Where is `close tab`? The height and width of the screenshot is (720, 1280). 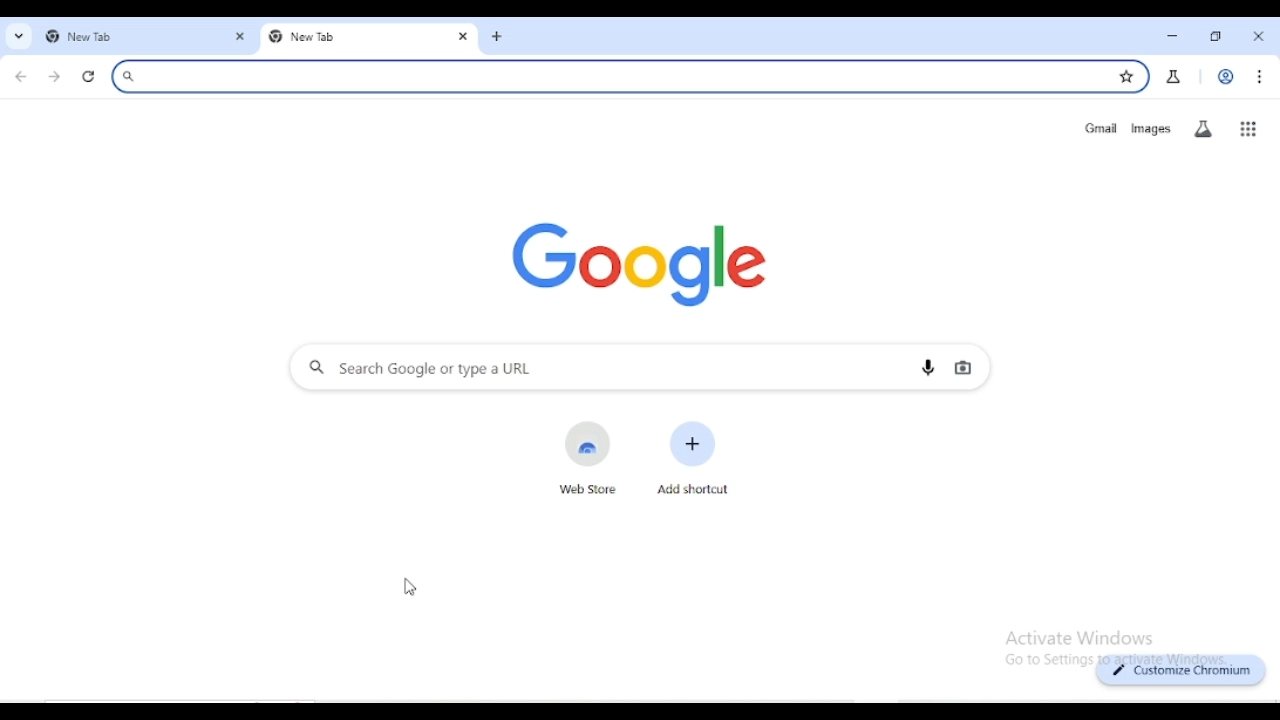 close tab is located at coordinates (464, 37).